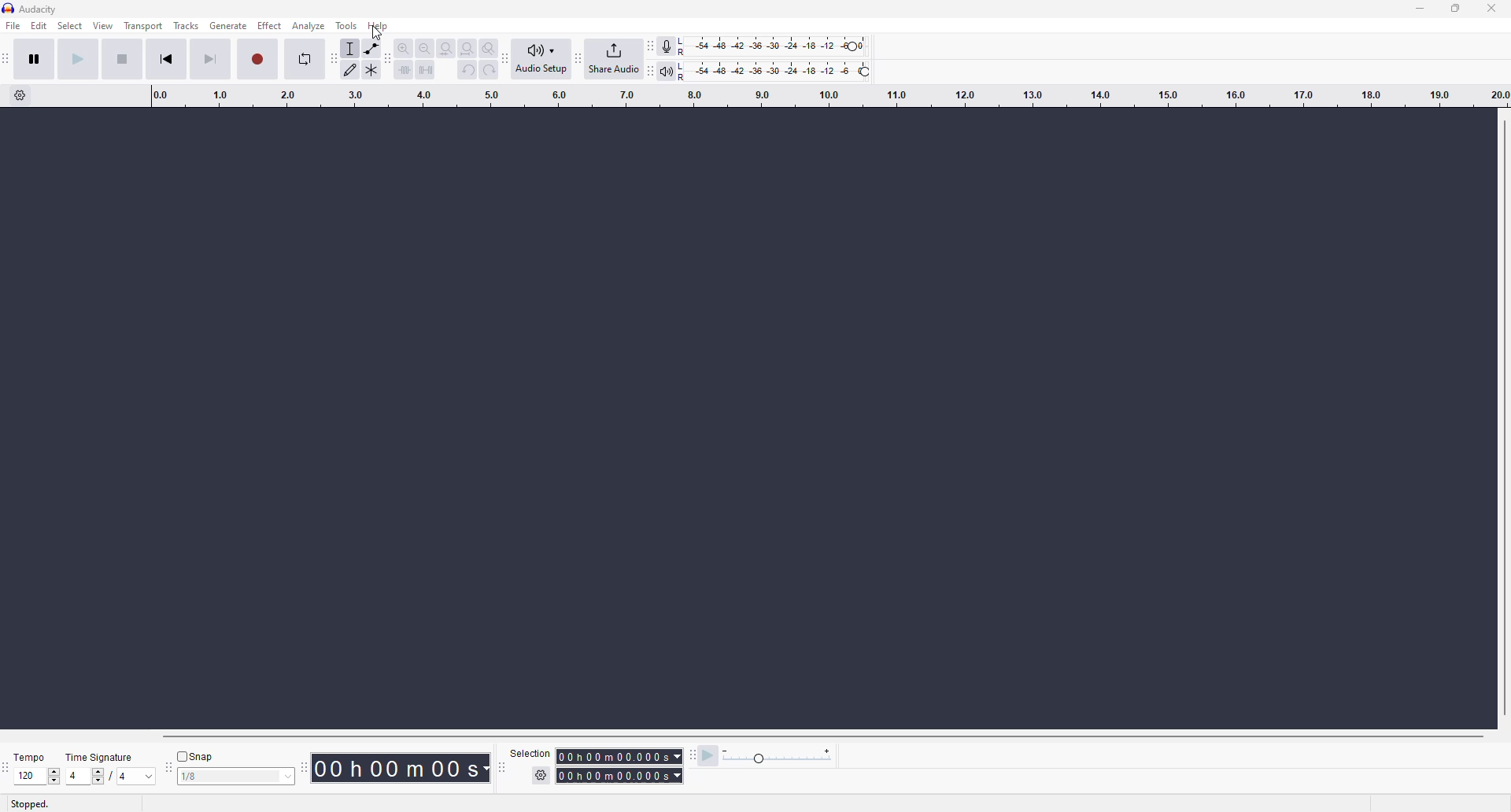  What do you see at coordinates (269, 28) in the screenshot?
I see `effect` at bounding box center [269, 28].